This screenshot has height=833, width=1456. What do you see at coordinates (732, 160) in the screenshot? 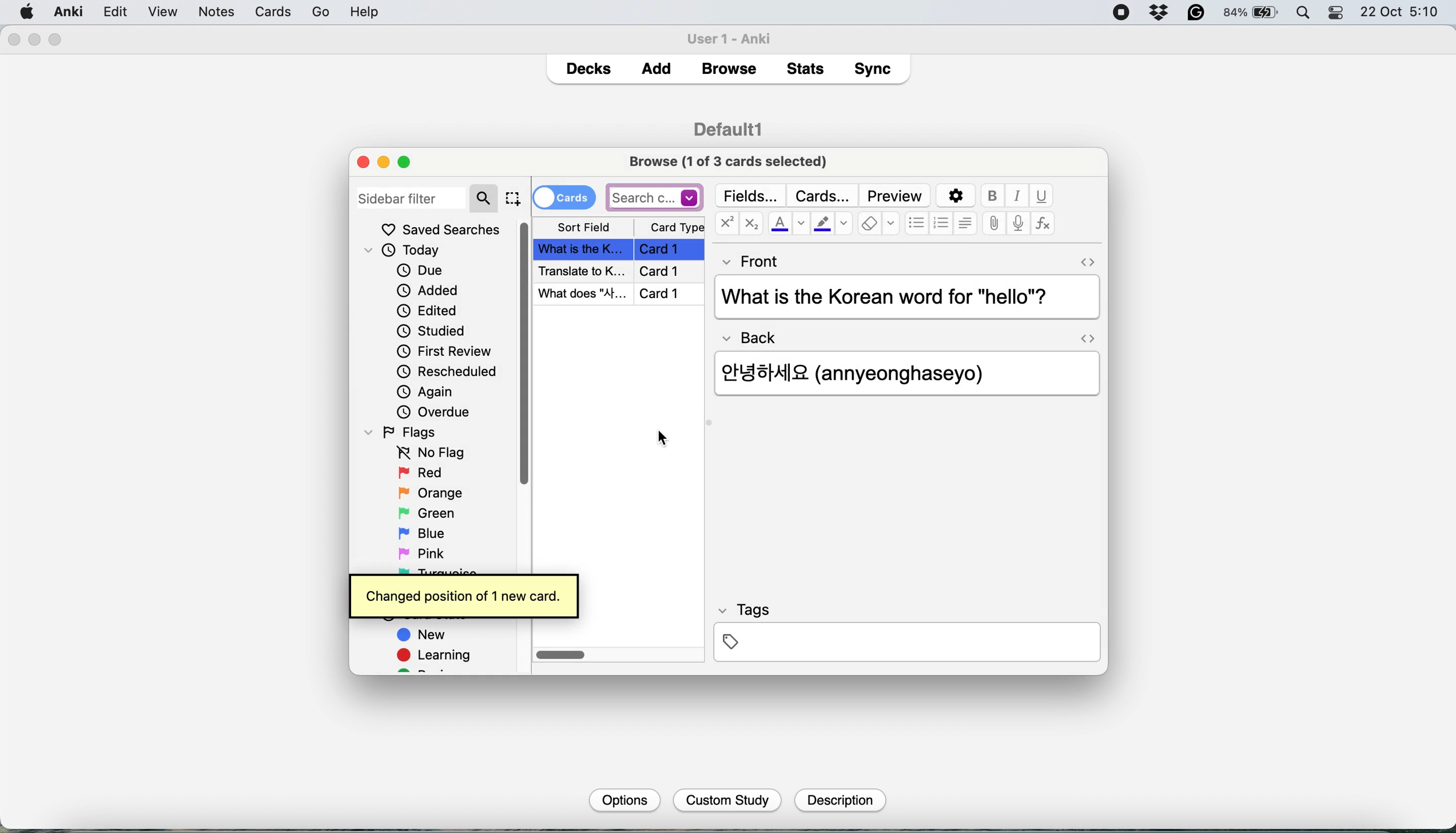
I see `Browse (1 of 3 cards selected)` at bounding box center [732, 160].